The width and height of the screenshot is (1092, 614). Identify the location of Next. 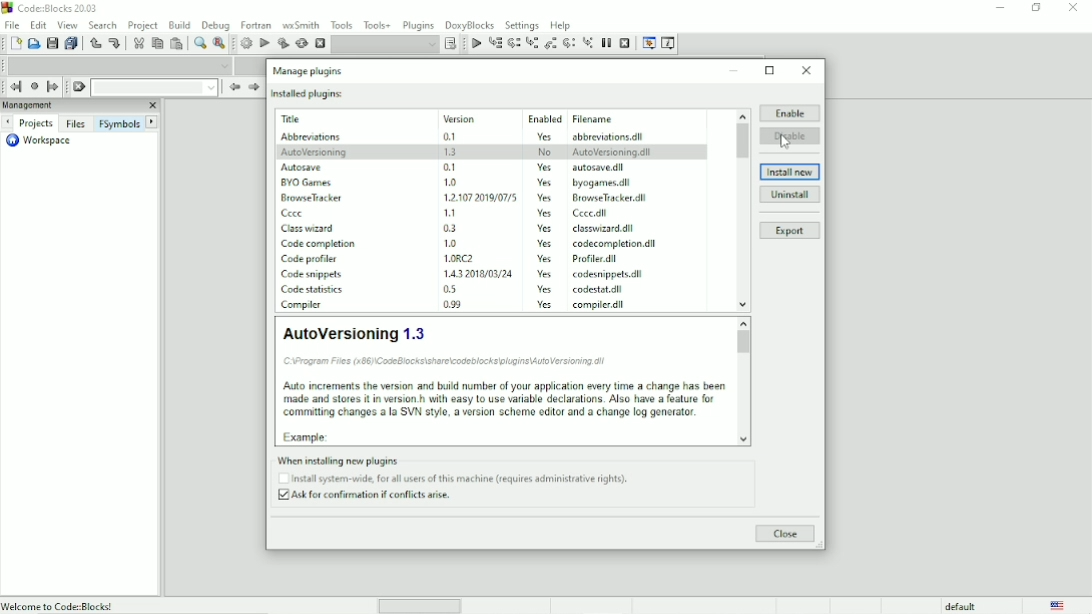
(153, 122).